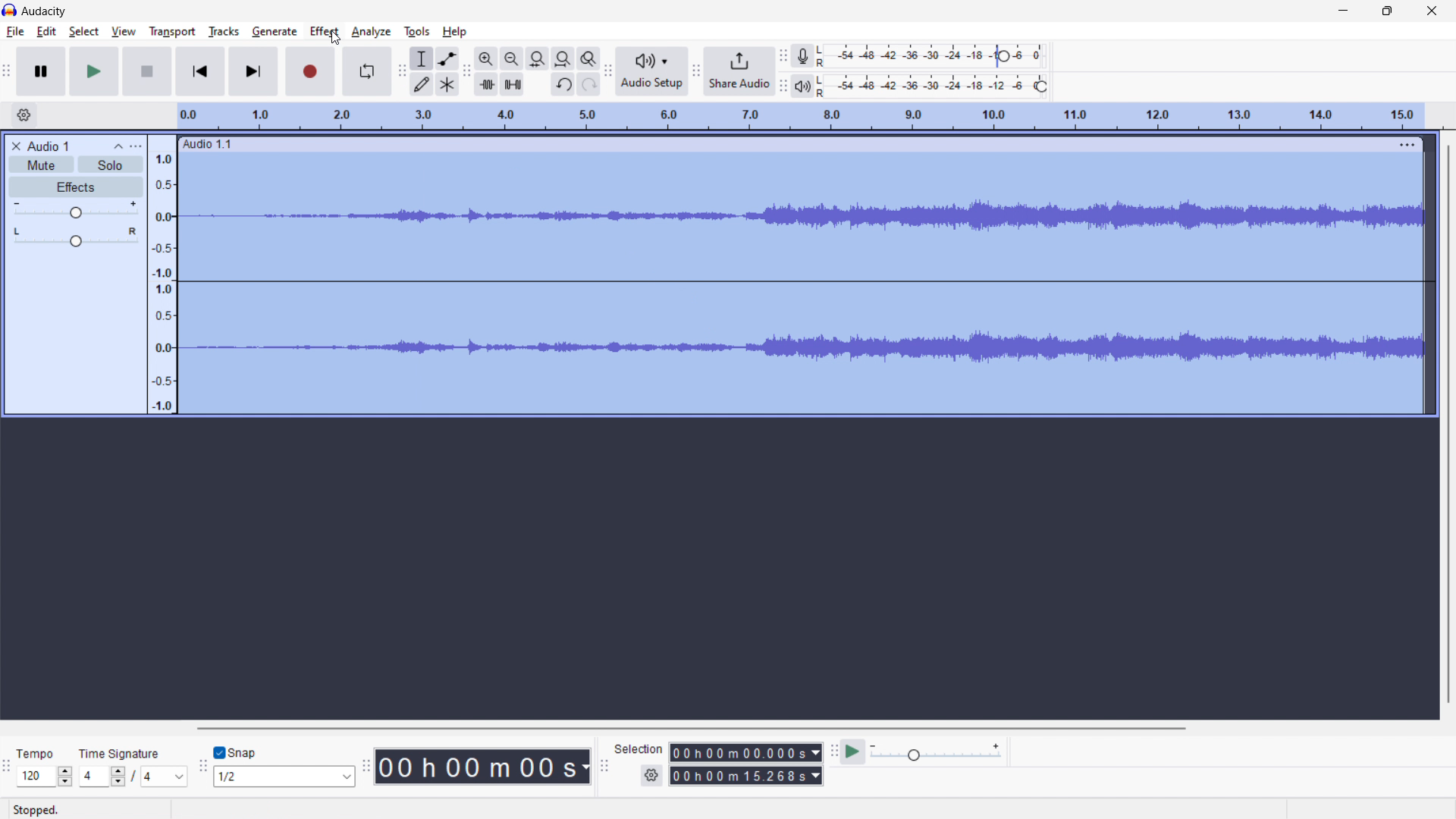 This screenshot has height=819, width=1456. I want to click on time signature toolbar, so click(8, 766).